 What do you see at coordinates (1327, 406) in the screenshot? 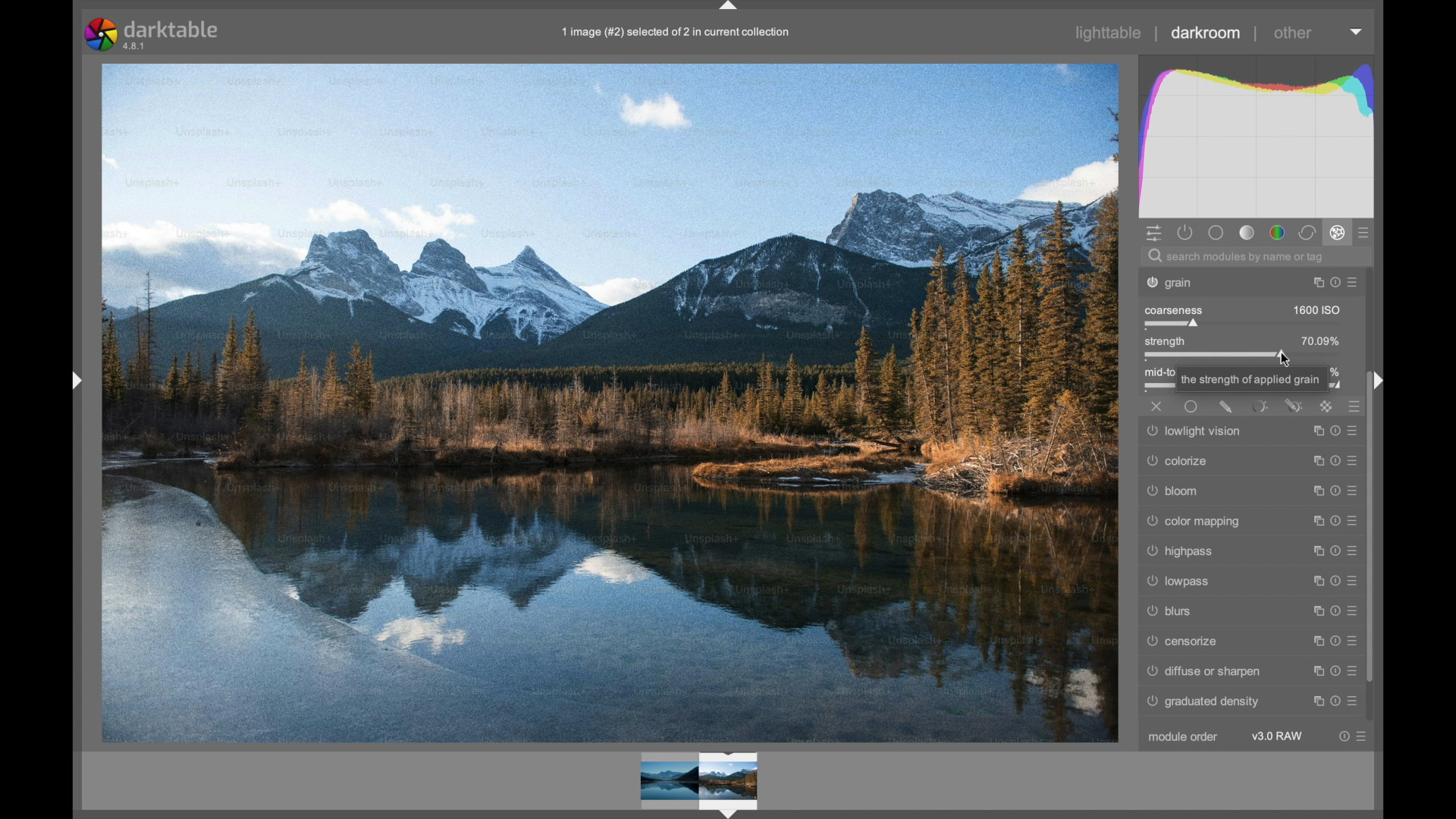
I see `raster mask` at bounding box center [1327, 406].